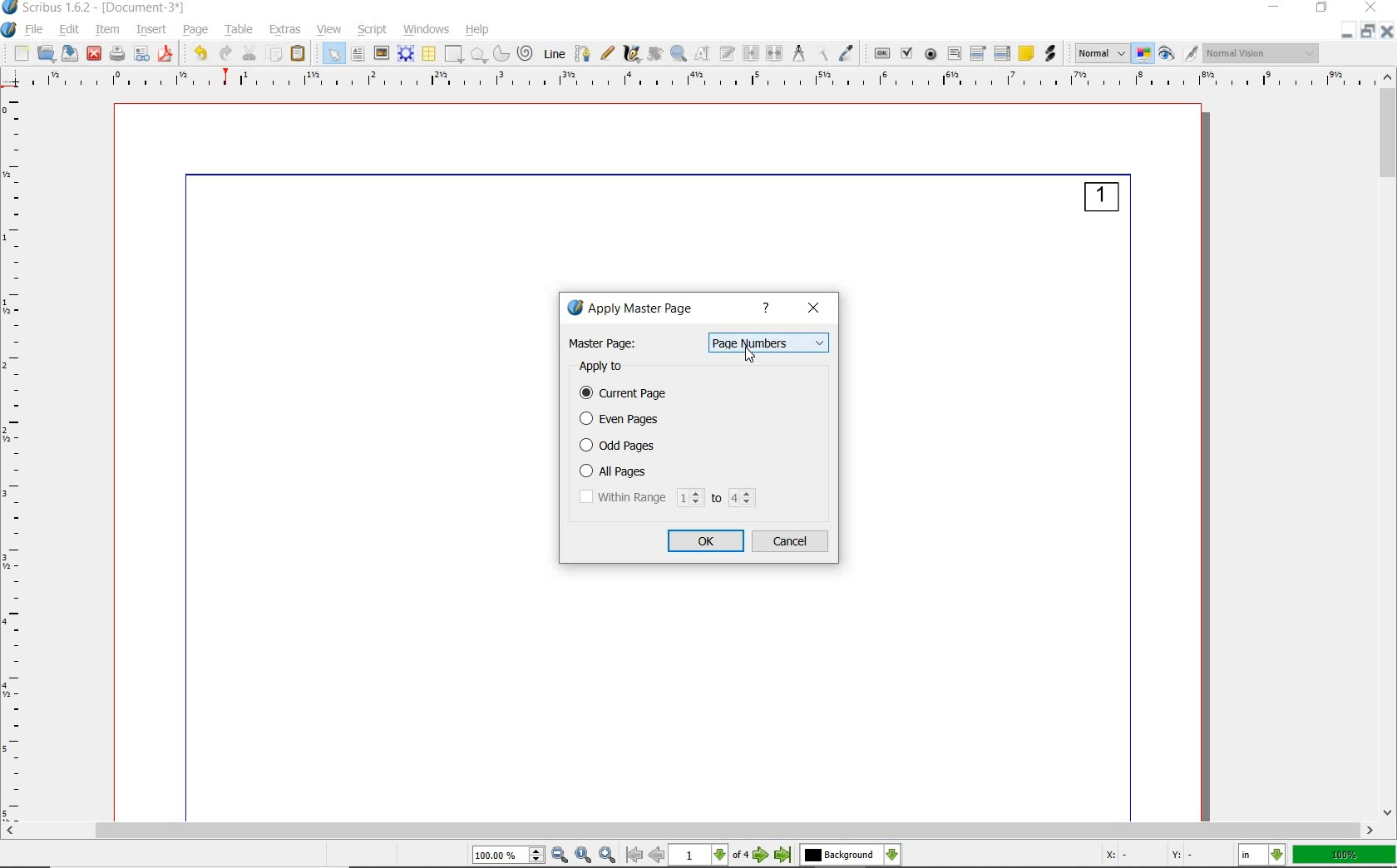 The image size is (1397, 868). Describe the element at coordinates (690, 831) in the screenshot. I see `scrollbar` at that location.